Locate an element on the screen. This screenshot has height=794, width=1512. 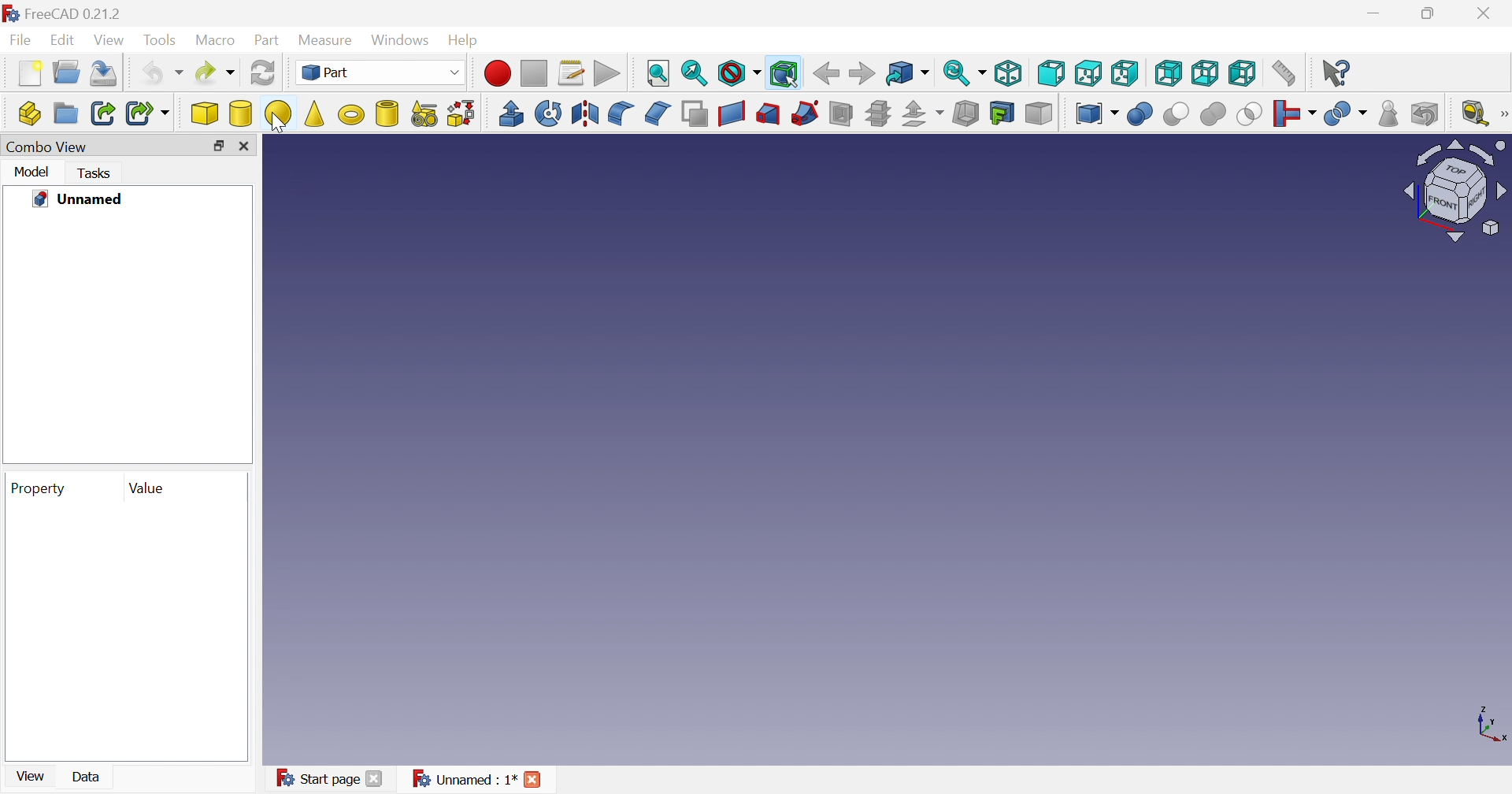
Tasks is located at coordinates (97, 173).